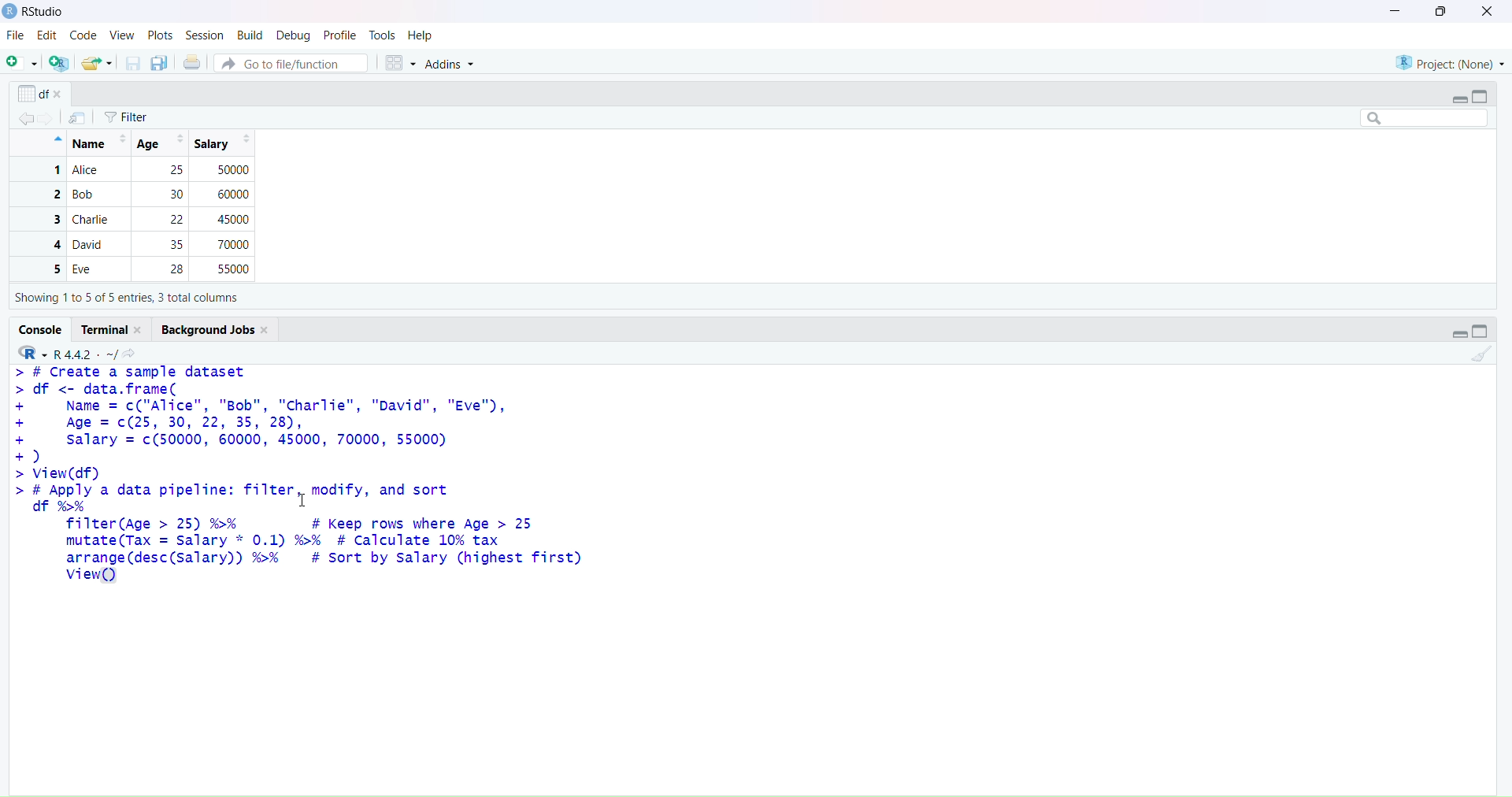 The image size is (1512, 797). I want to click on cursor, so click(306, 499).